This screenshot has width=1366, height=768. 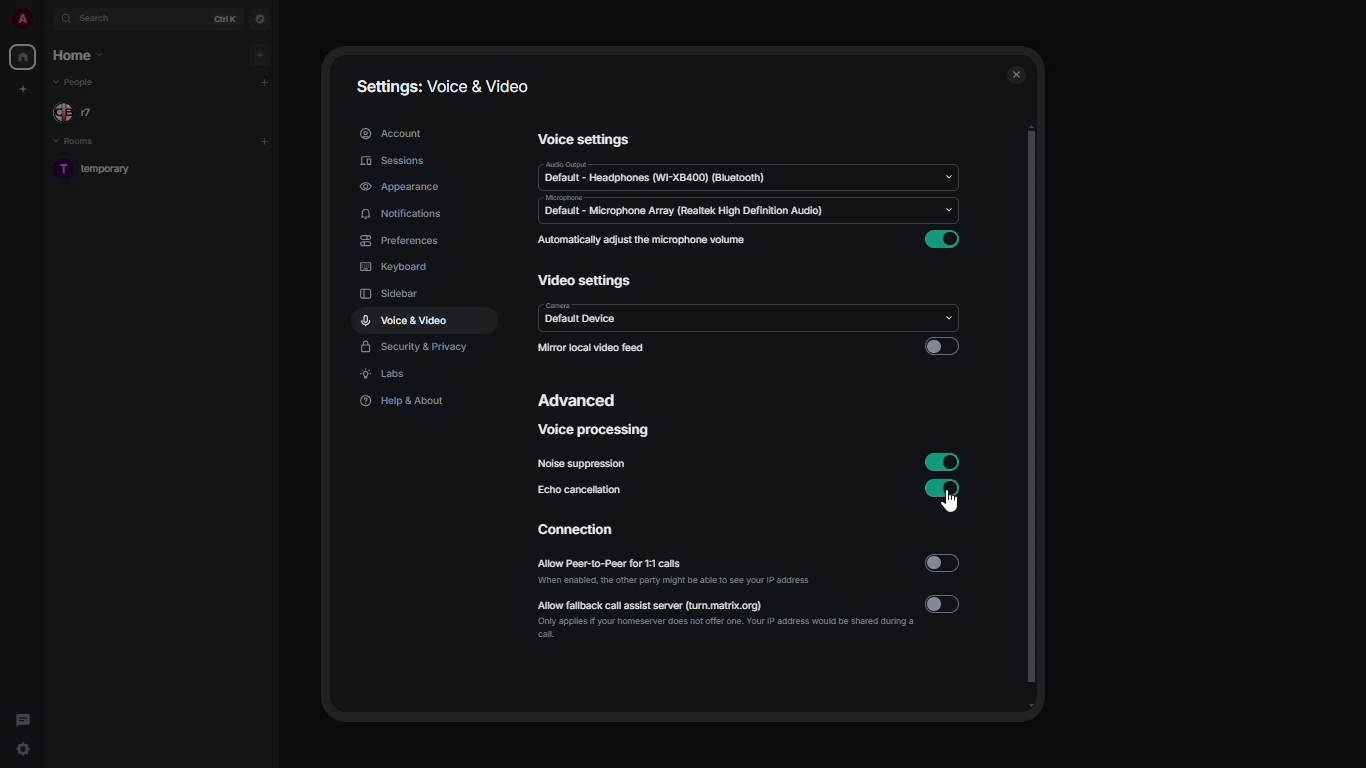 I want to click on settings: voice & video, so click(x=440, y=85).